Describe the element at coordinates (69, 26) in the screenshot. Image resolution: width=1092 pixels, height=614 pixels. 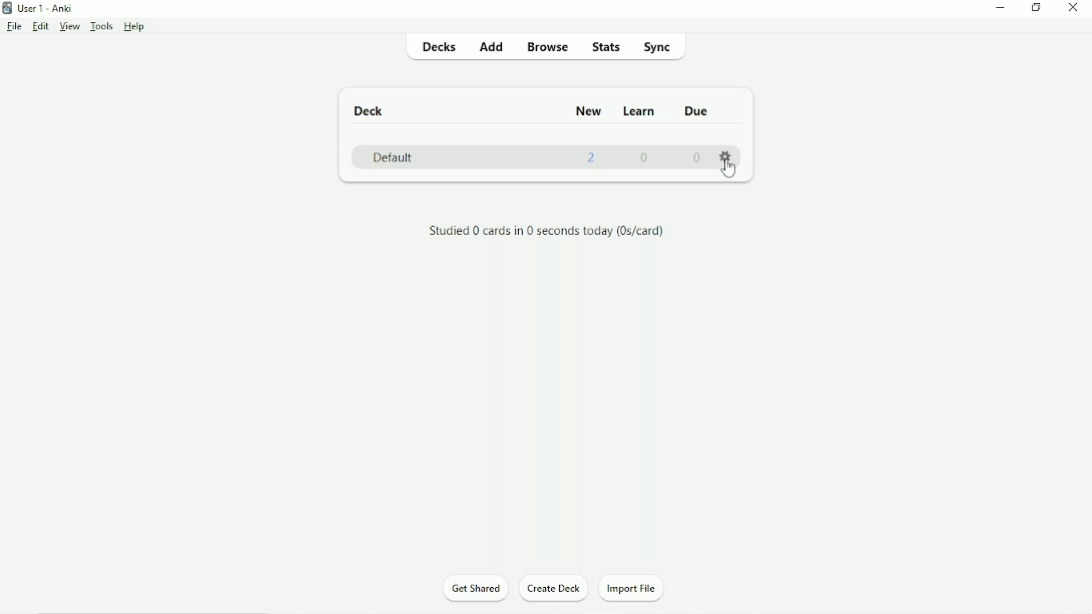
I see `View` at that location.